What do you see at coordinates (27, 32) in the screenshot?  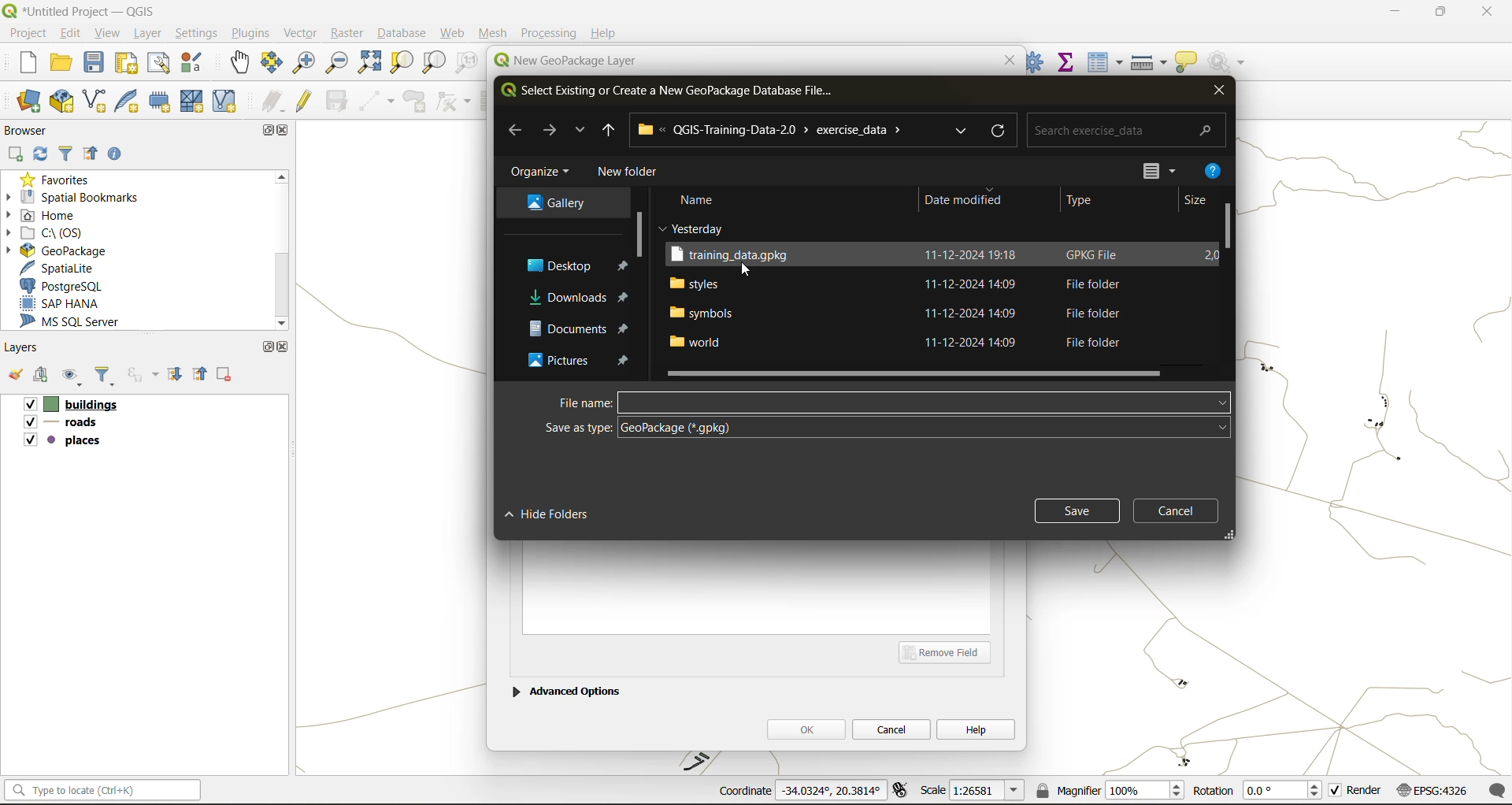 I see `project` at bounding box center [27, 32].